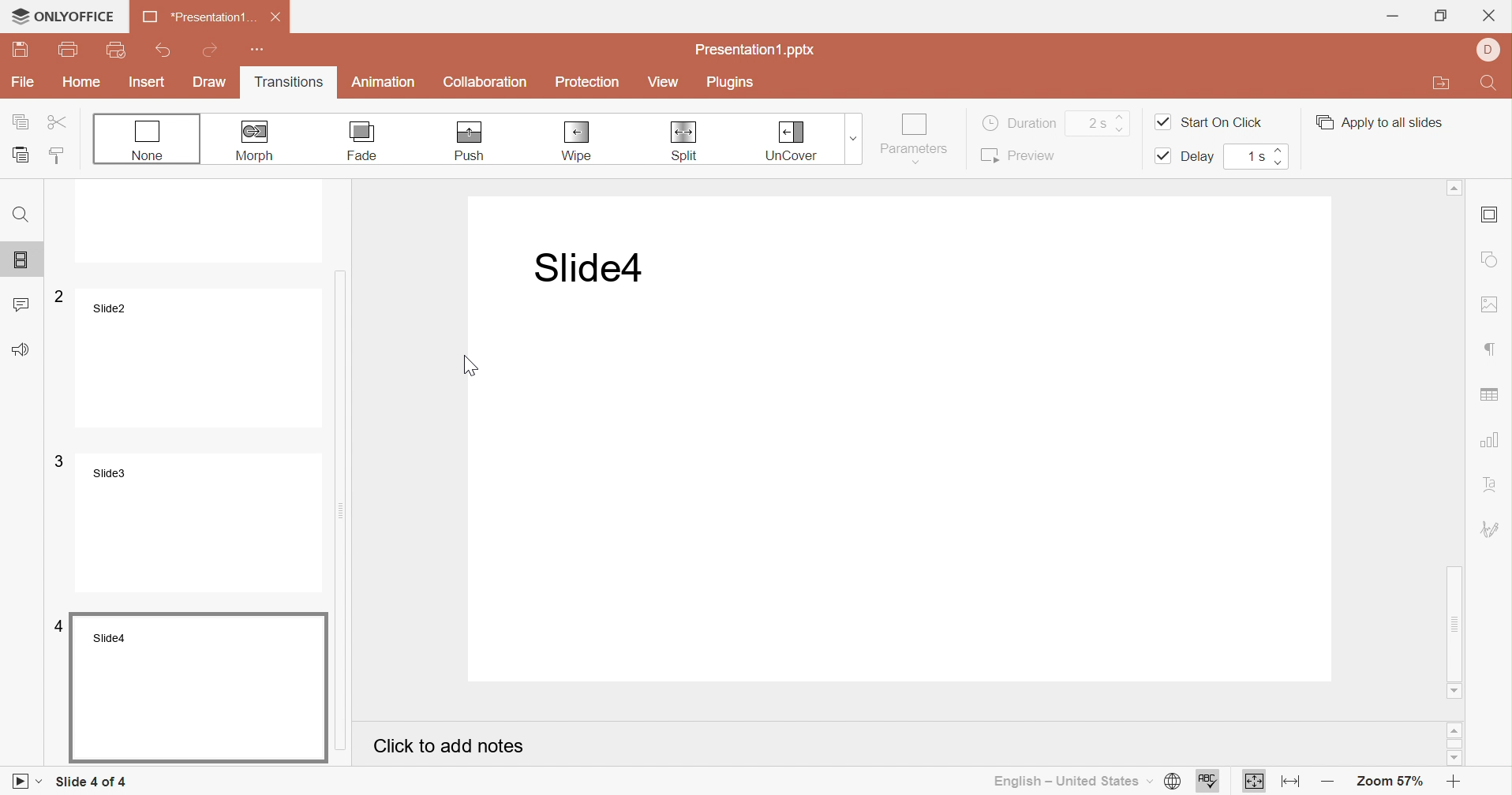  Describe the element at coordinates (201, 224) in the screenshot. I see `Slide 1` at that location.